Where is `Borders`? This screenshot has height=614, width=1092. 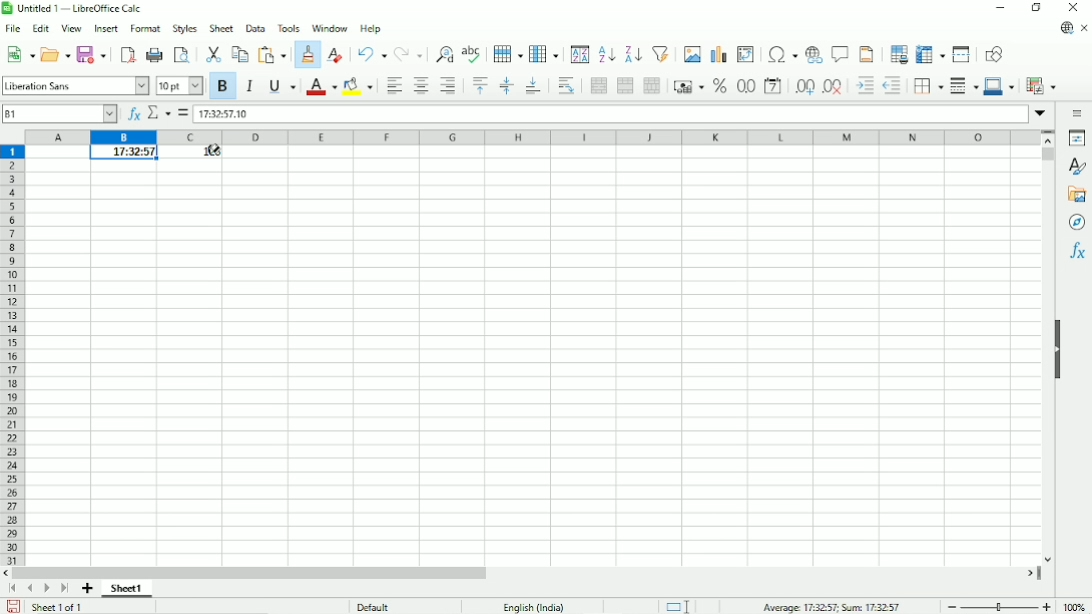 Borders is located at coordinates (926, 86).